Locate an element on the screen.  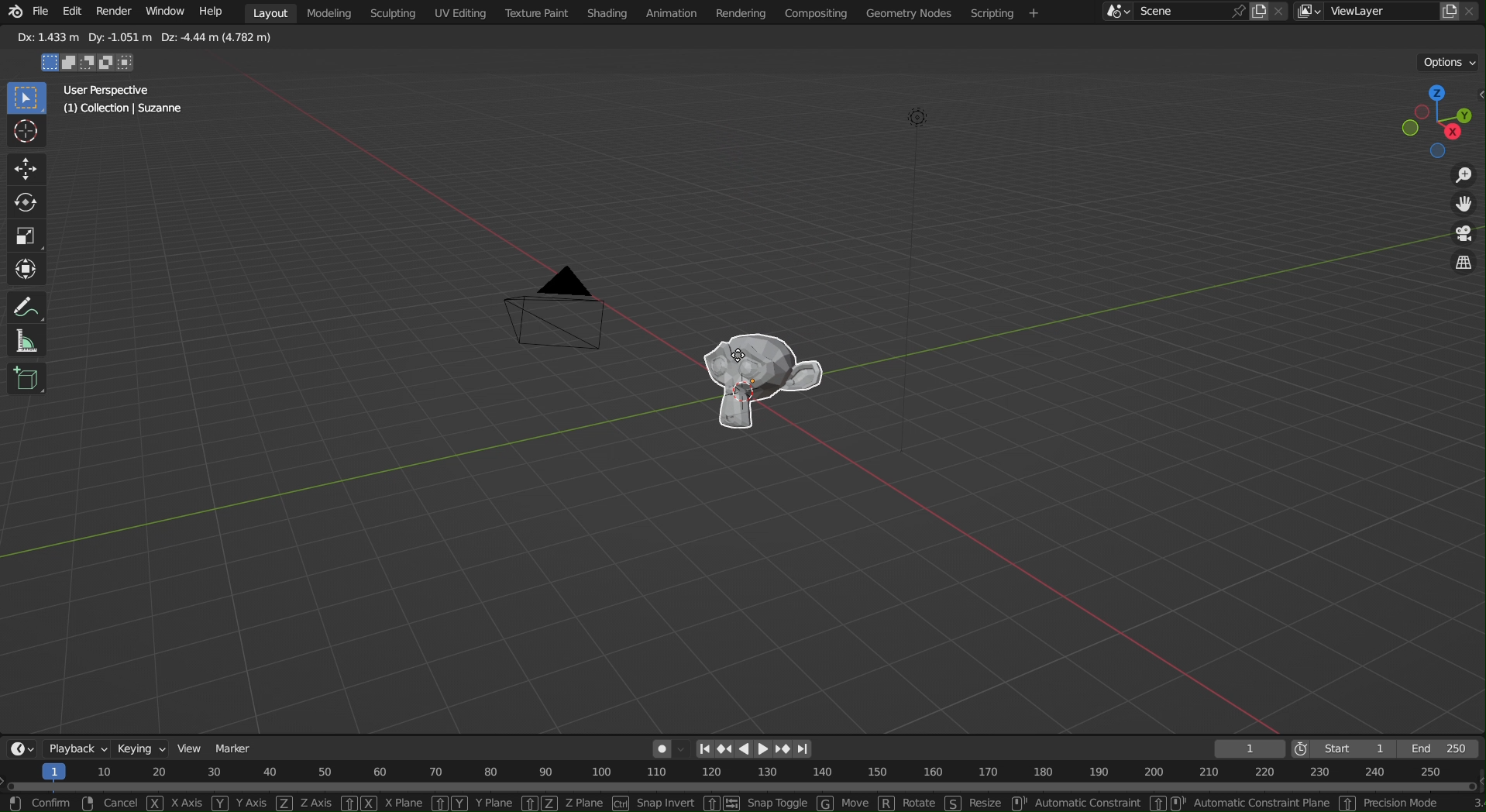
Sculpting is located at coordinates (389, 15).